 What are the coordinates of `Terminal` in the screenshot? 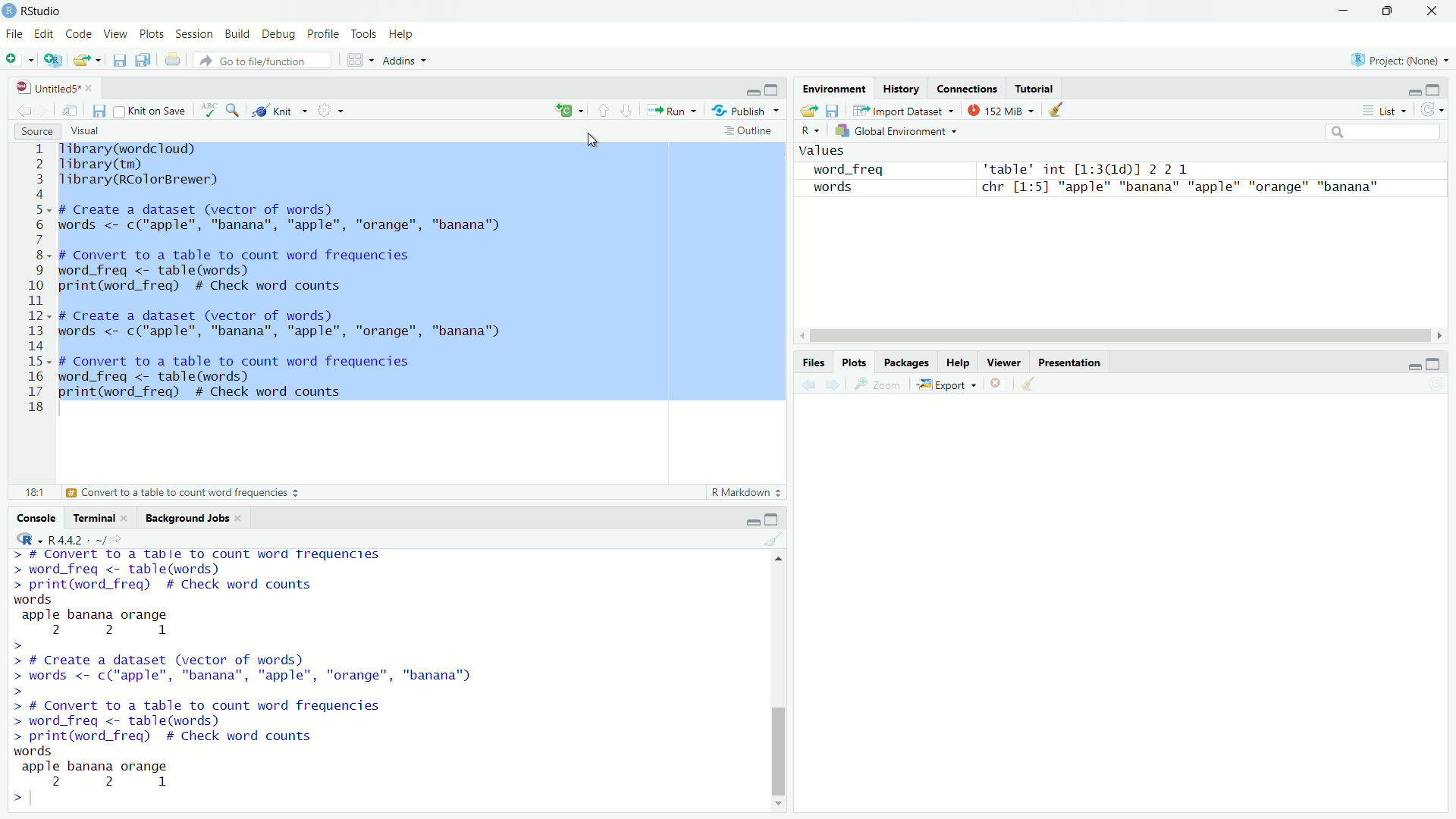 It's located at (104, 518).